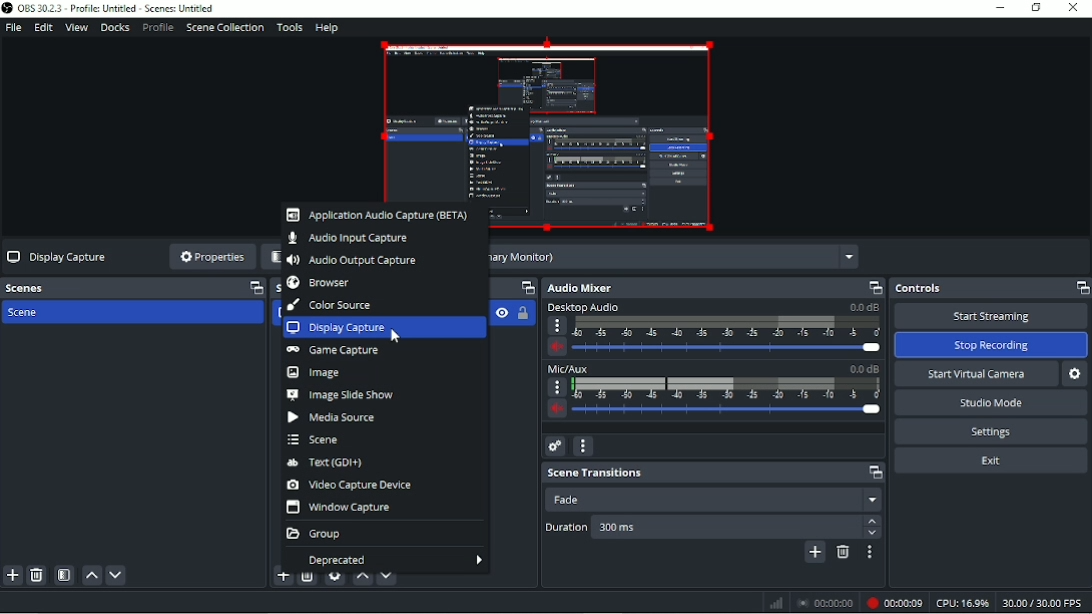 This screenshot has width=1092, height=614. What do you see at coordinates (990, 431) in the screenshot?
I see `Settings` at bounding box center [990, 431].